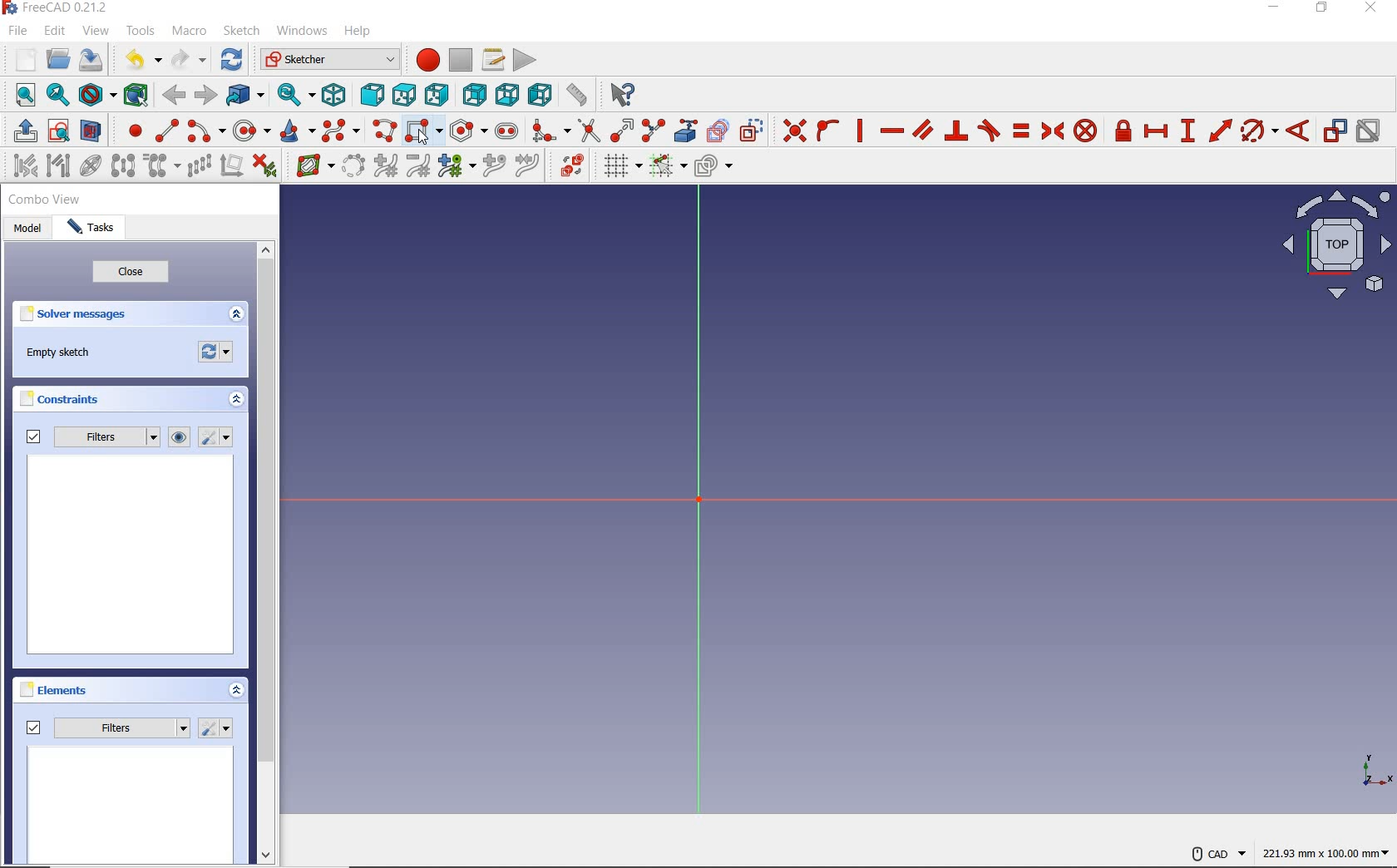 This screenshot has width=1397, height=868. What do you see at coordinates (354, 167) in the screenshot?
I see `convert geometry to B-Spline` at bounding box center [354, 167].